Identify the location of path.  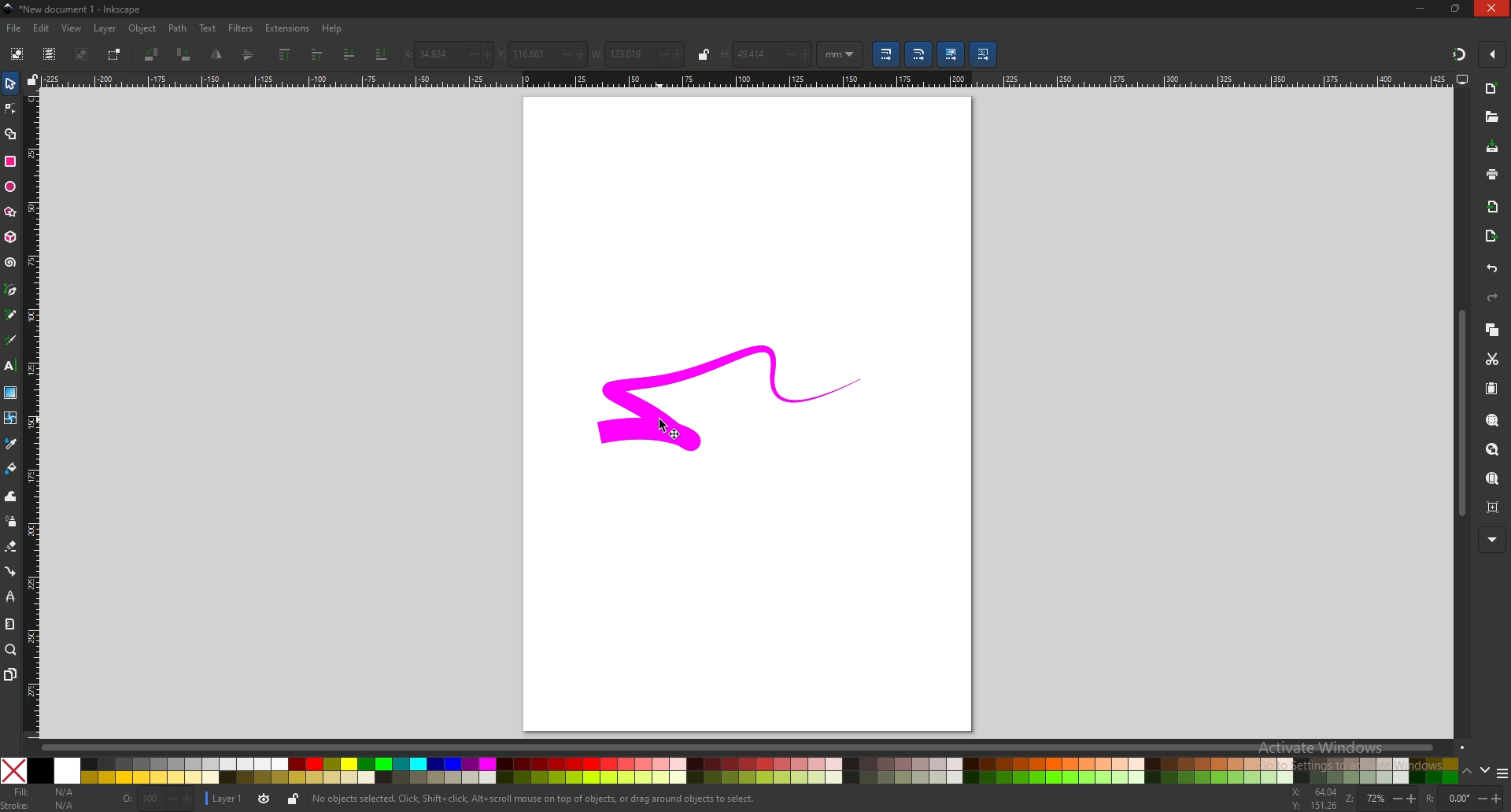
(177, 27).